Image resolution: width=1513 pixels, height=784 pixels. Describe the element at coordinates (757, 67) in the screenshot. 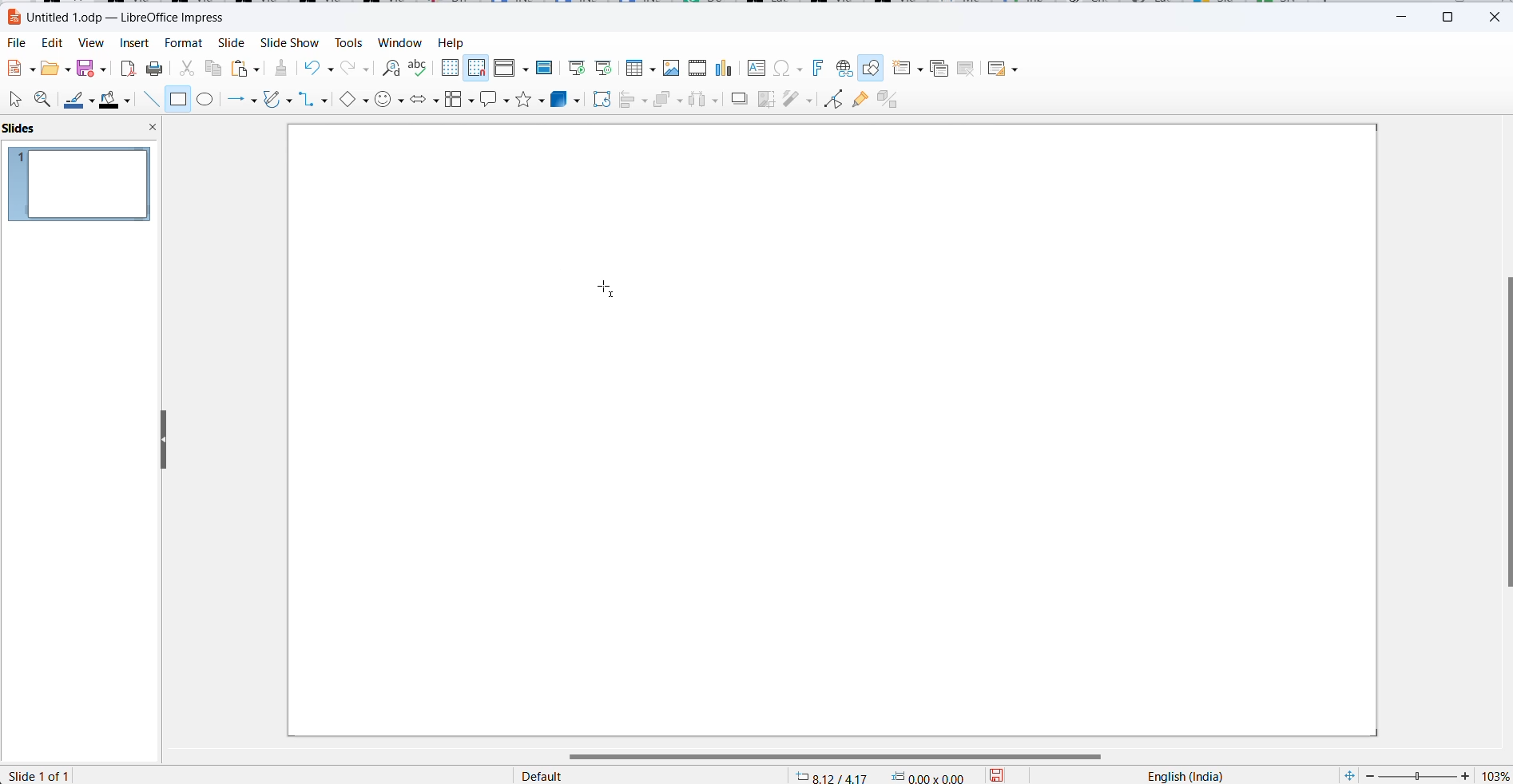

I see `Insert text` at that location.